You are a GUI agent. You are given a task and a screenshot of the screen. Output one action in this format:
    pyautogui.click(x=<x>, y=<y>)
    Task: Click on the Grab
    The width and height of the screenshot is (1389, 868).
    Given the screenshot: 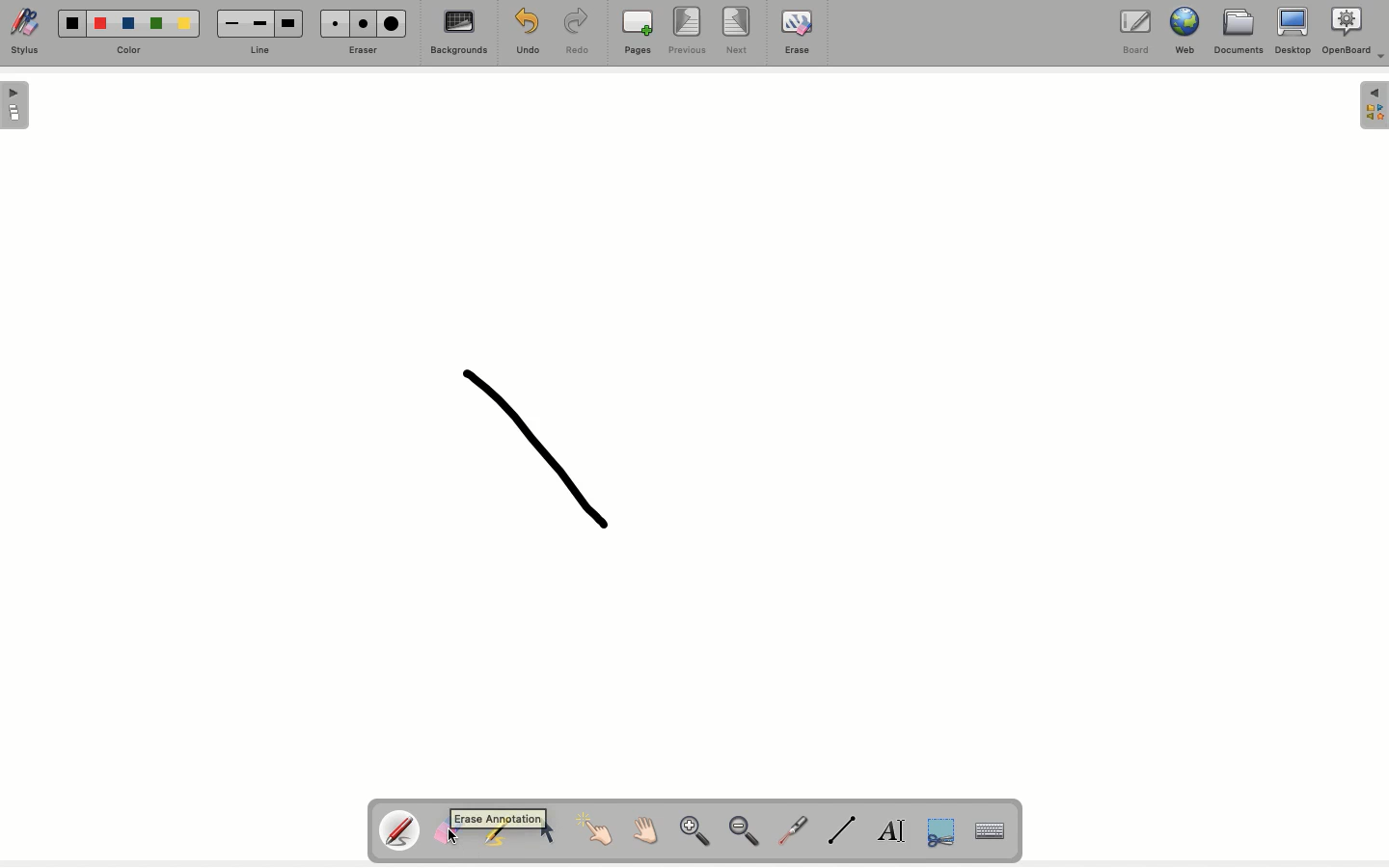 What is the action you would take?
    pyautogui.click(x=643, y=831)
    